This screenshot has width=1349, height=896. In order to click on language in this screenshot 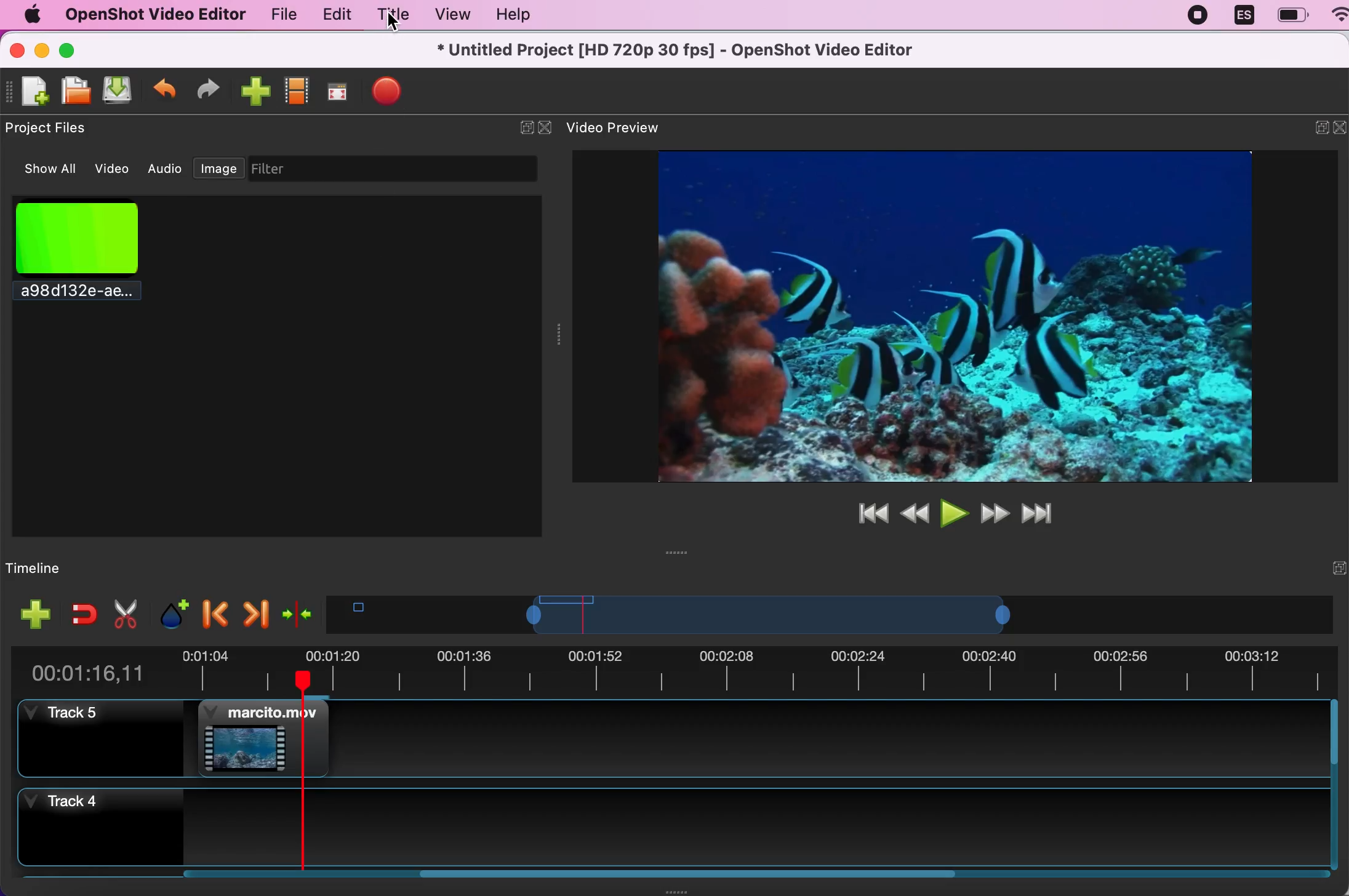, I will do `click(1244, 17)`.